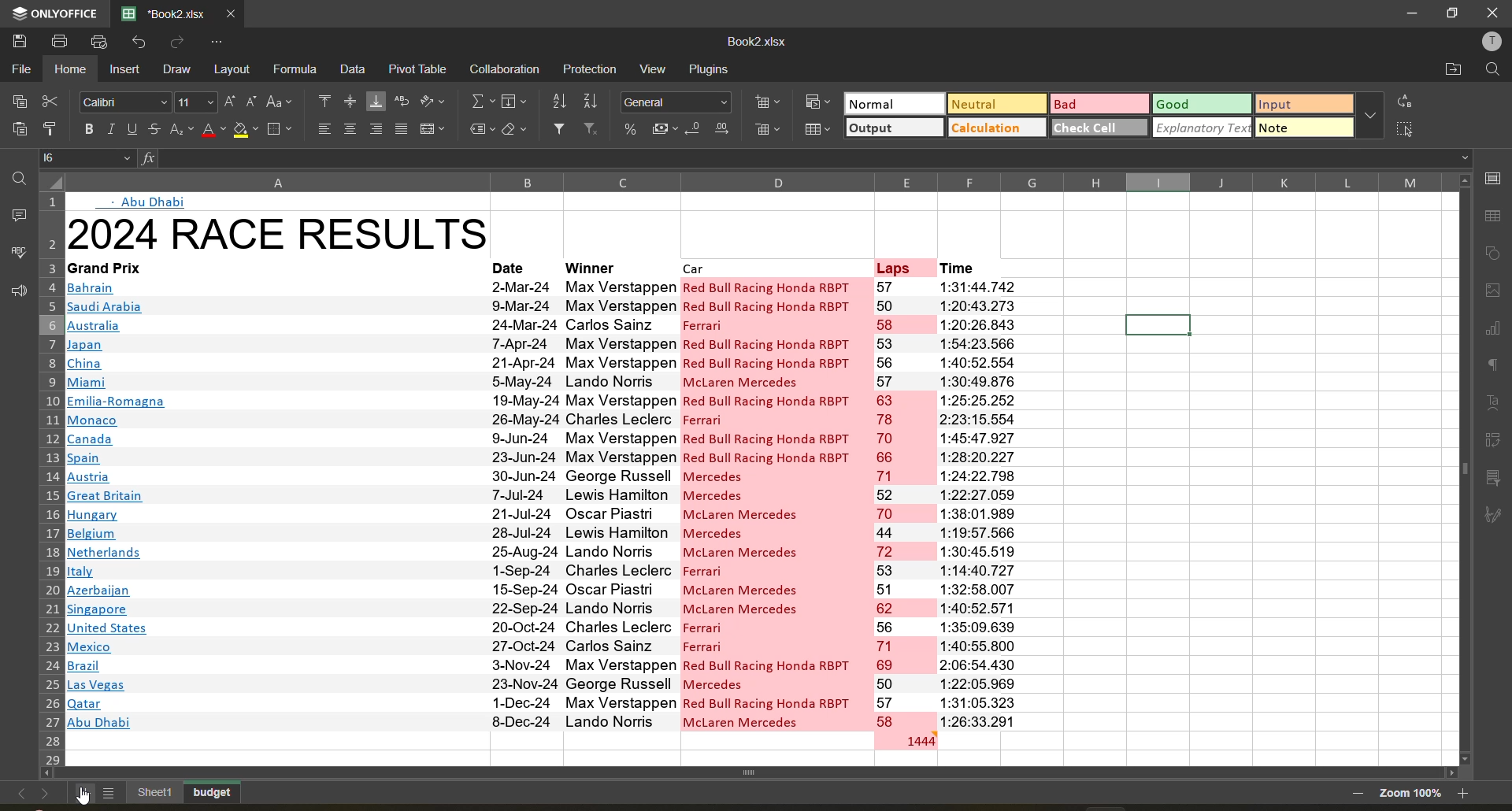  I want to click on conditional formatting, so click(816, 102).